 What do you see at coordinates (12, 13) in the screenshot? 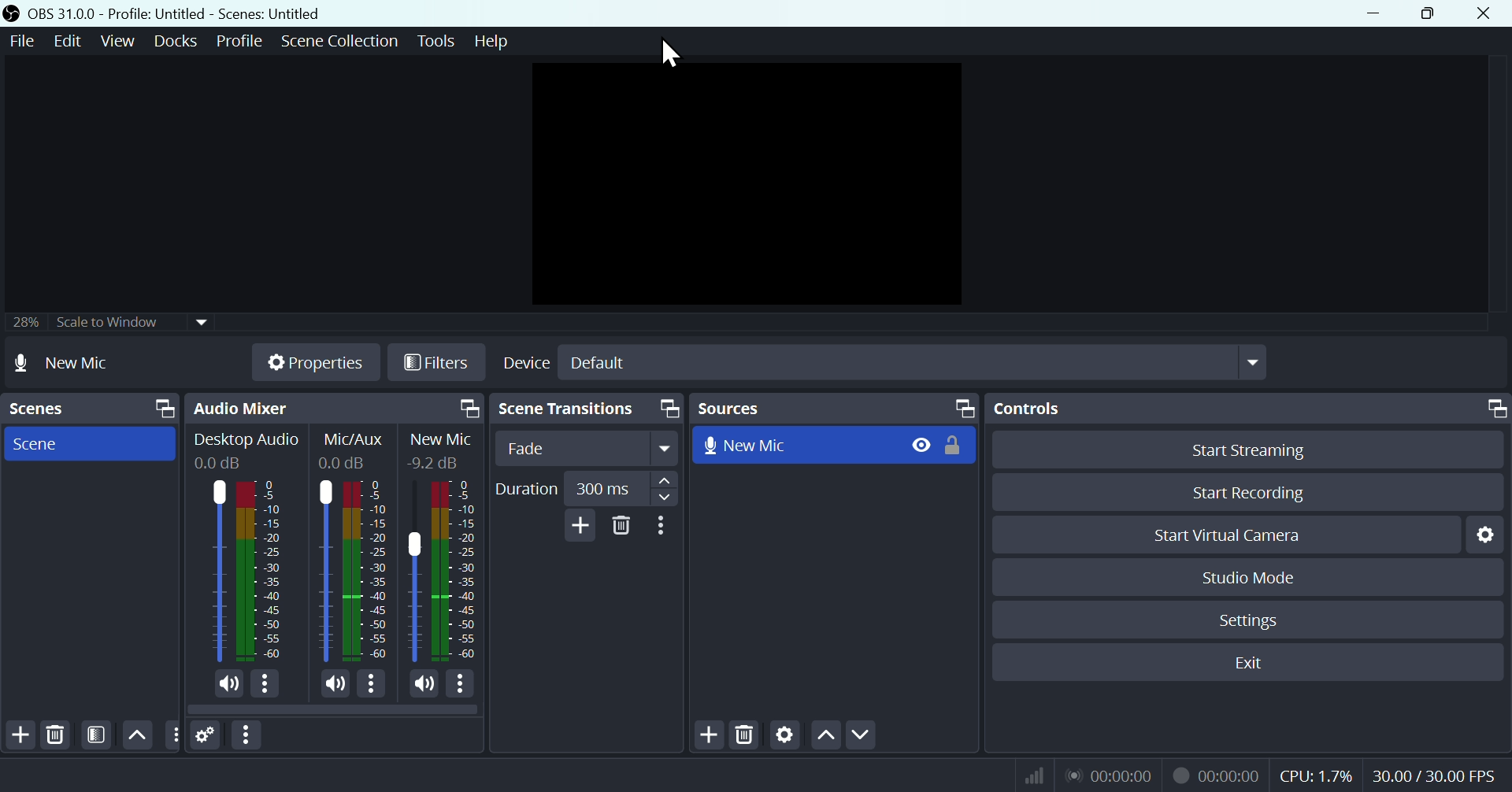
I see `OBS Studio Desktop Icon` at bounding box center [12, 13].